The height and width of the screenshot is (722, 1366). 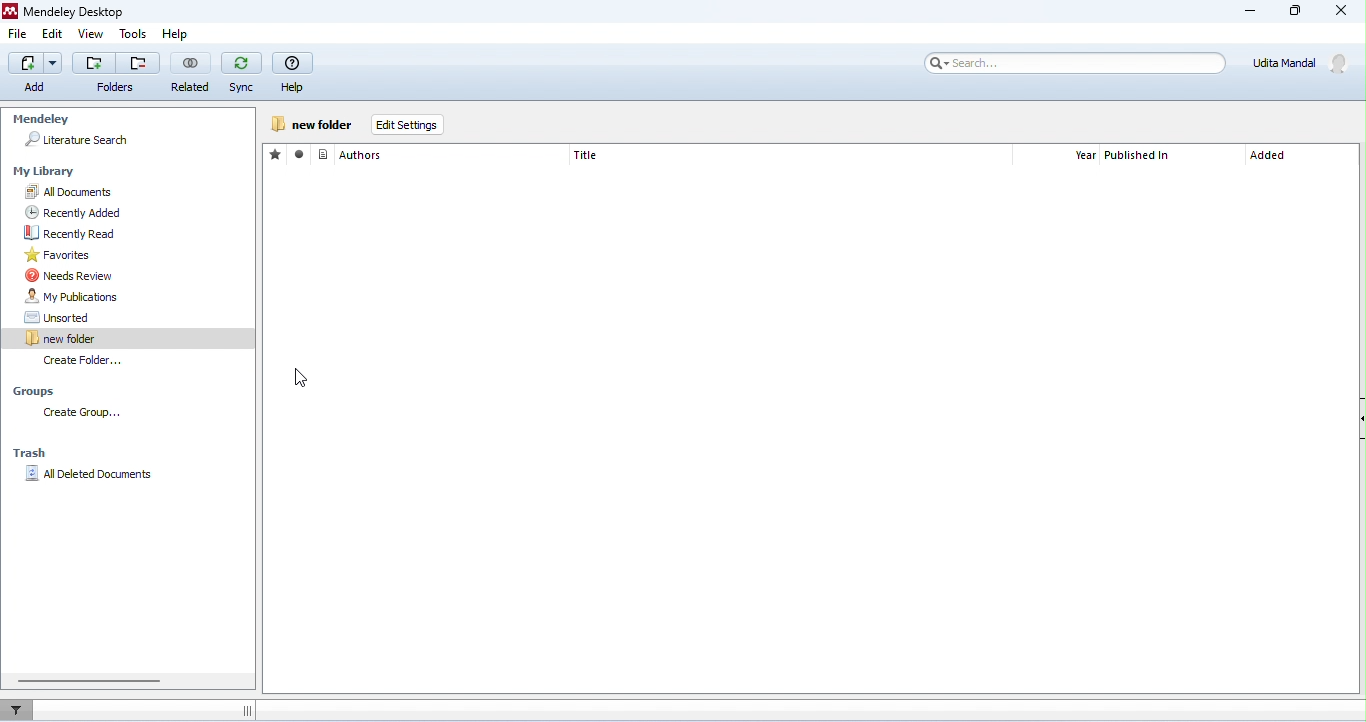 What do you see at coordinates (70, 11) in the screenshot?
I see `Mendeley desktop` at bounding box center [70, 11].